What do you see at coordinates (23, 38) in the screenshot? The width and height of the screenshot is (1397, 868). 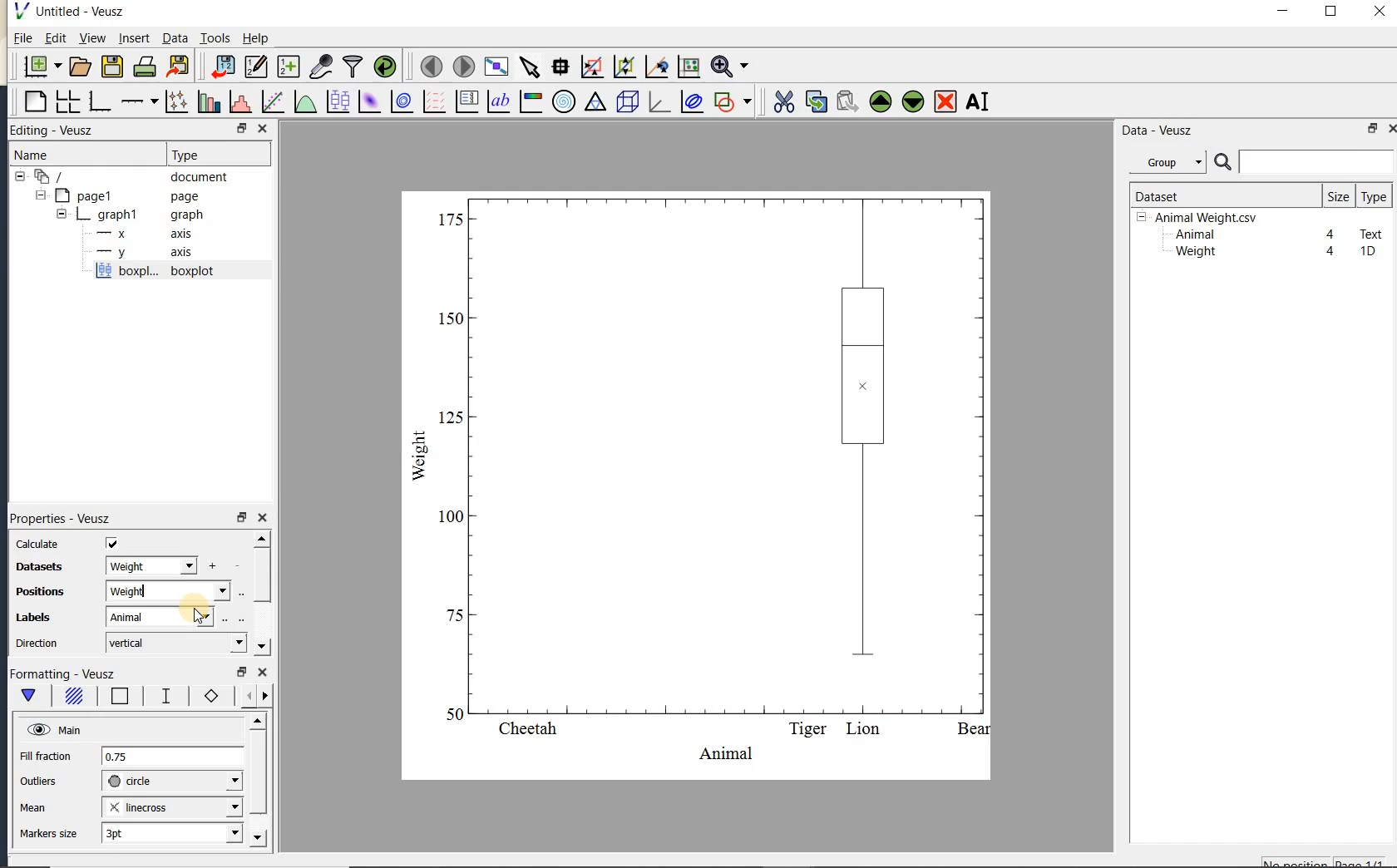 I see `File` at bounding box center [23, 38].